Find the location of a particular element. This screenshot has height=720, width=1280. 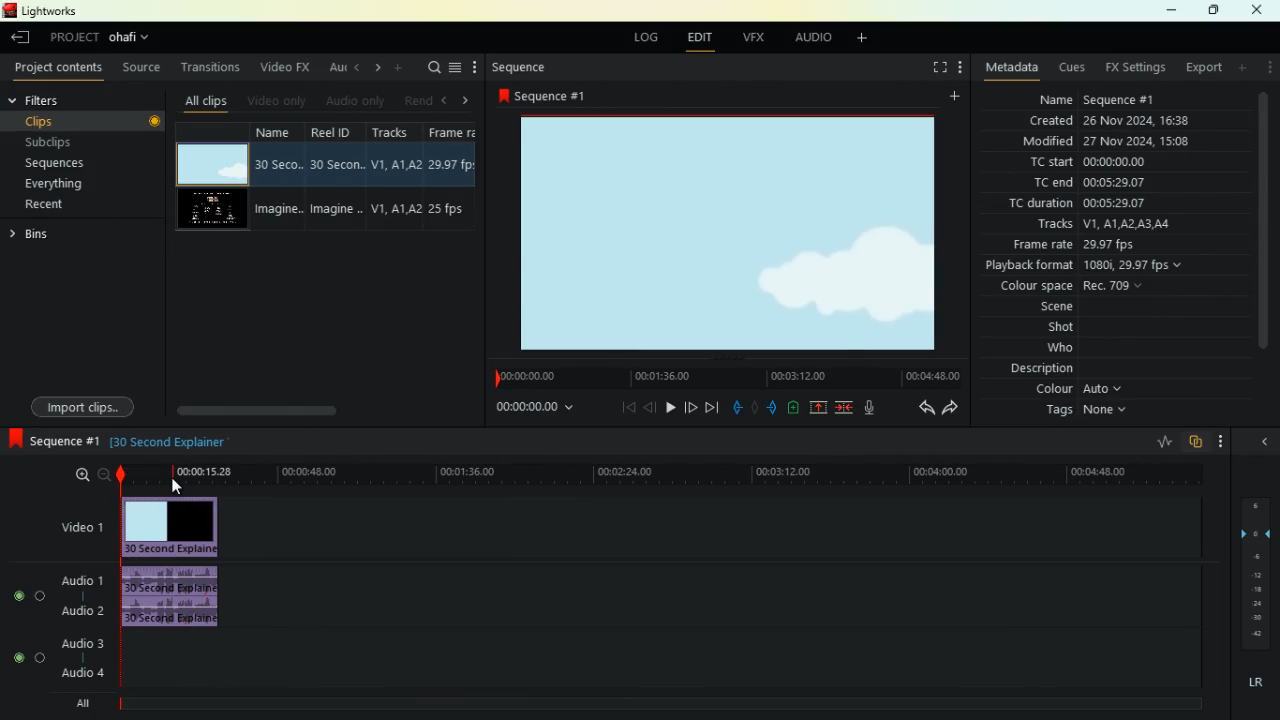

back is located at coordinates (22, 39).